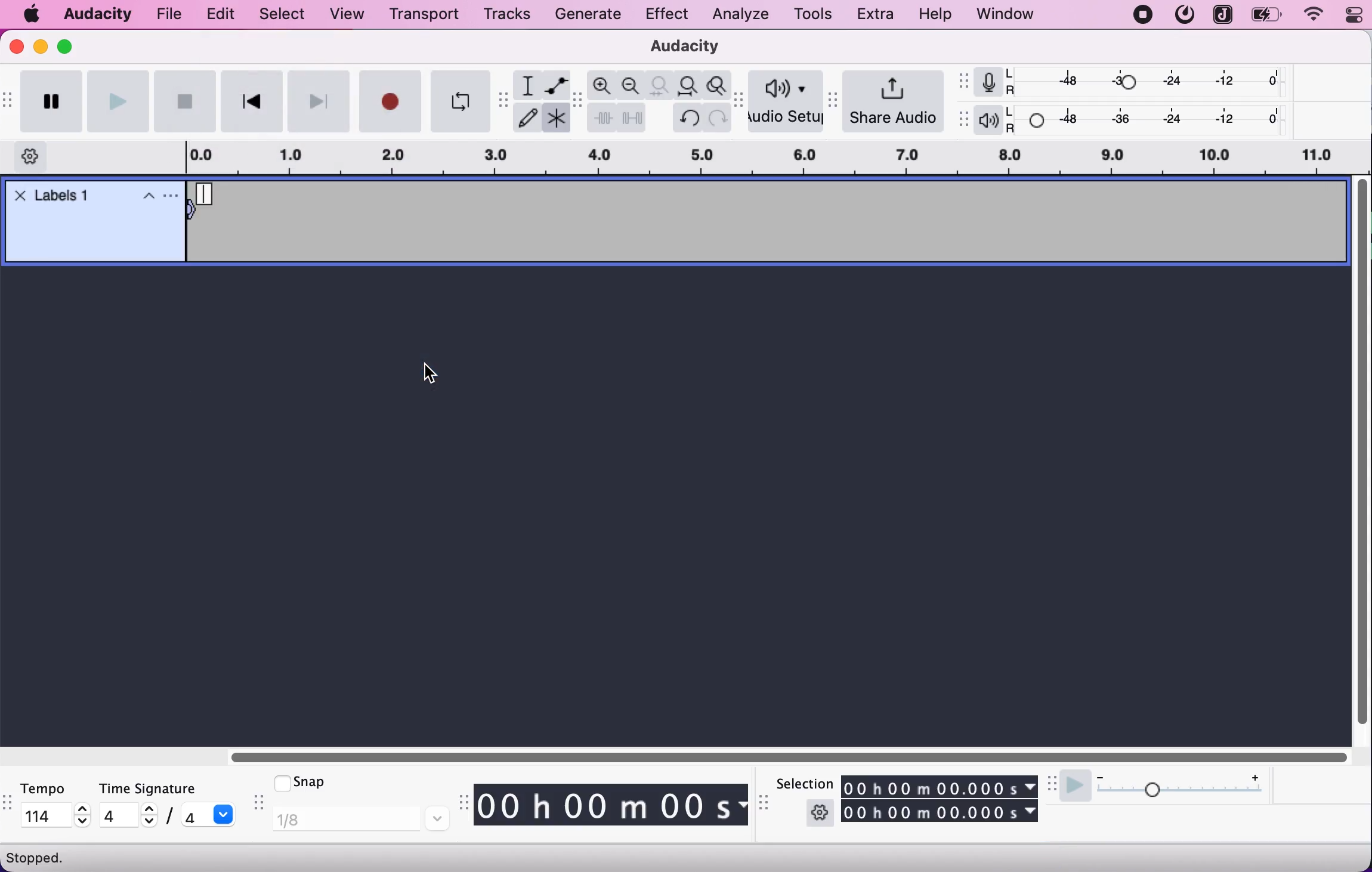 The width and height of the screenshot is (1372, 872). What do you see at coordinates (168, 817) in the screenshot?
I see `/` at bounding box center [168, 817].